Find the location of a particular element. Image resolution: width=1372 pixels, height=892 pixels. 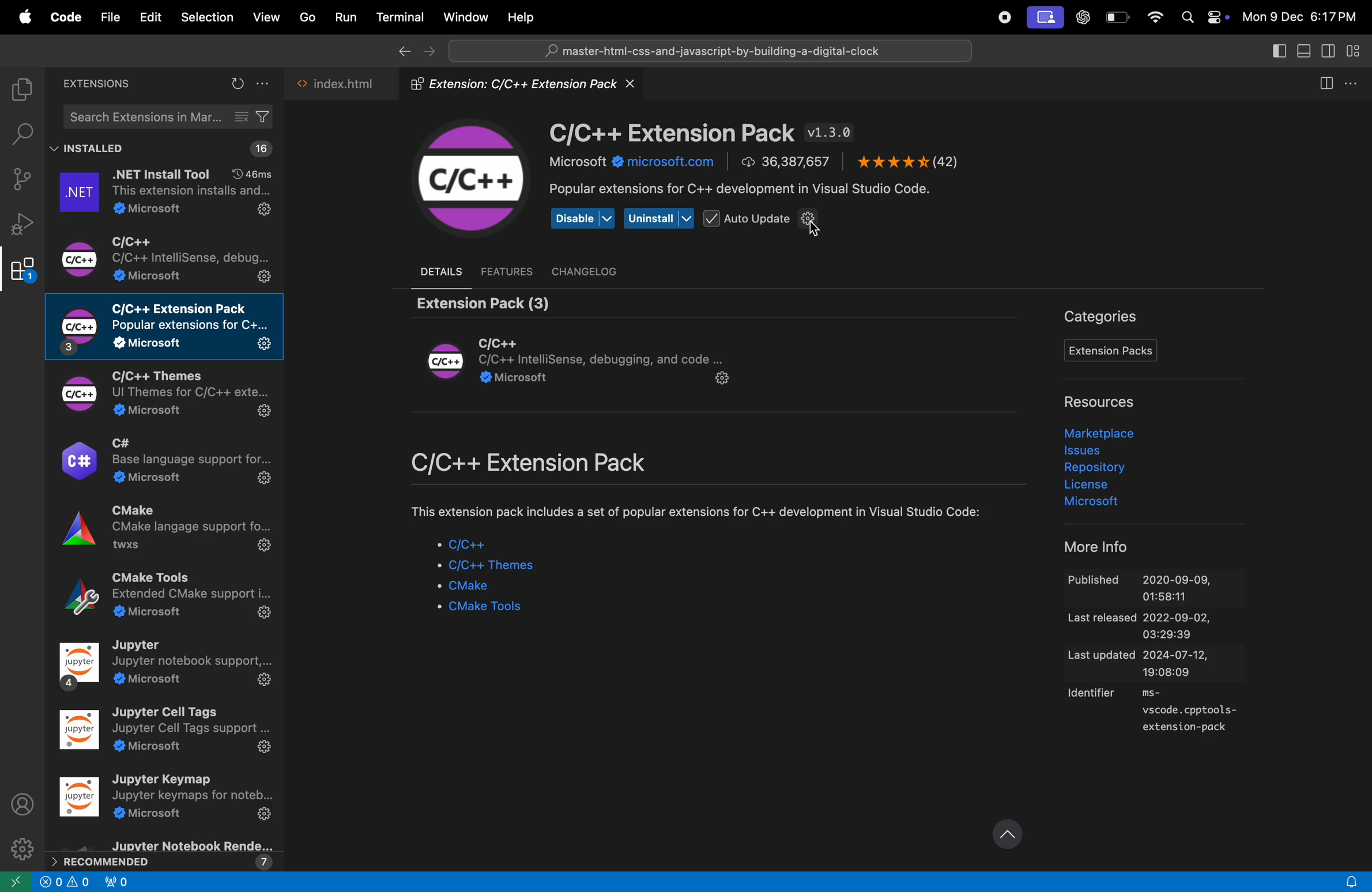

settings is located at coordinates (21, 846).